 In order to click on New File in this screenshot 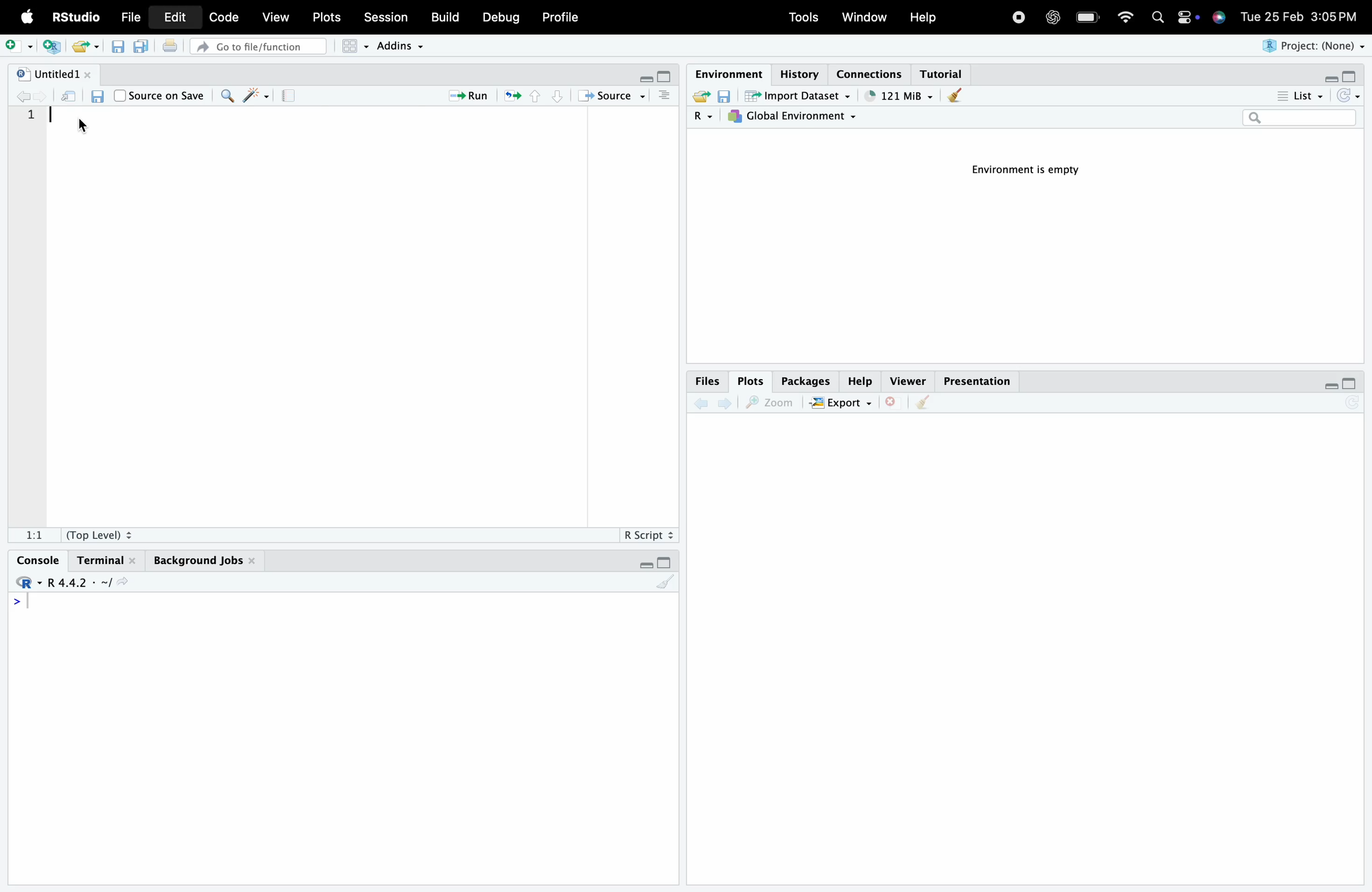, I will do `click(18, 46)`.